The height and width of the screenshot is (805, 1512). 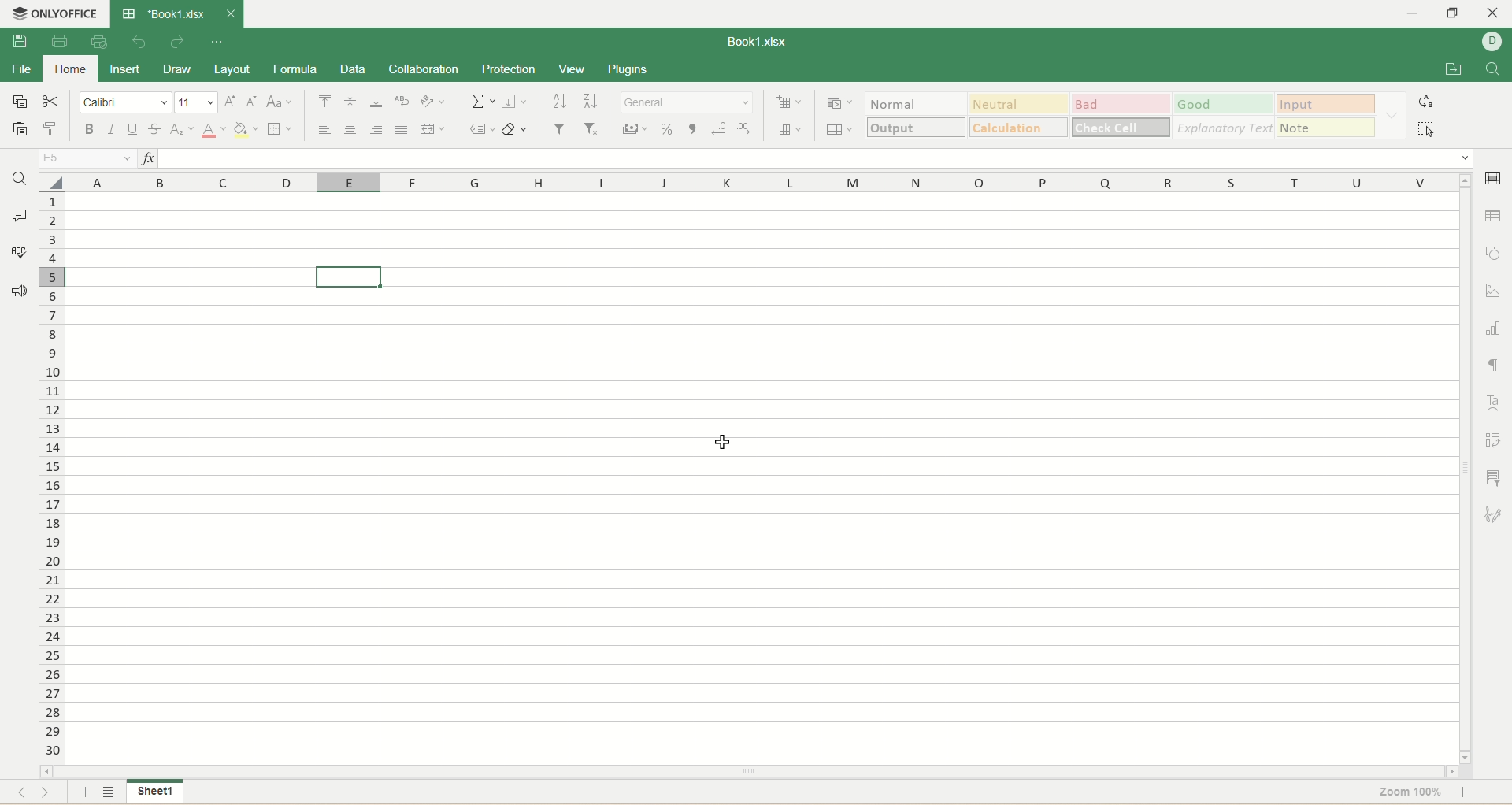 I want to click on font size, so click(x=197, y=102).